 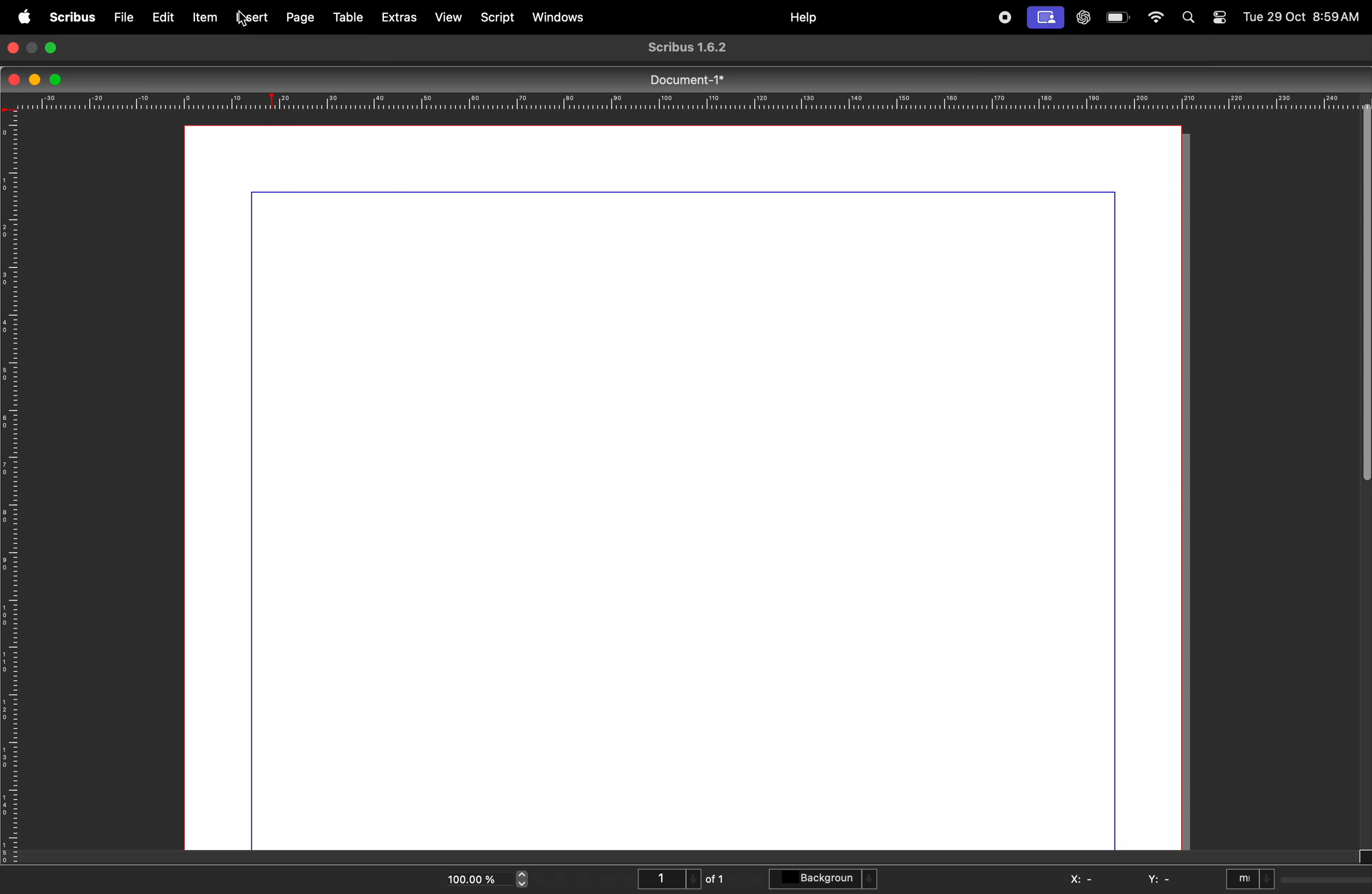 I want to click on battery, so click(x=1118, y=18).